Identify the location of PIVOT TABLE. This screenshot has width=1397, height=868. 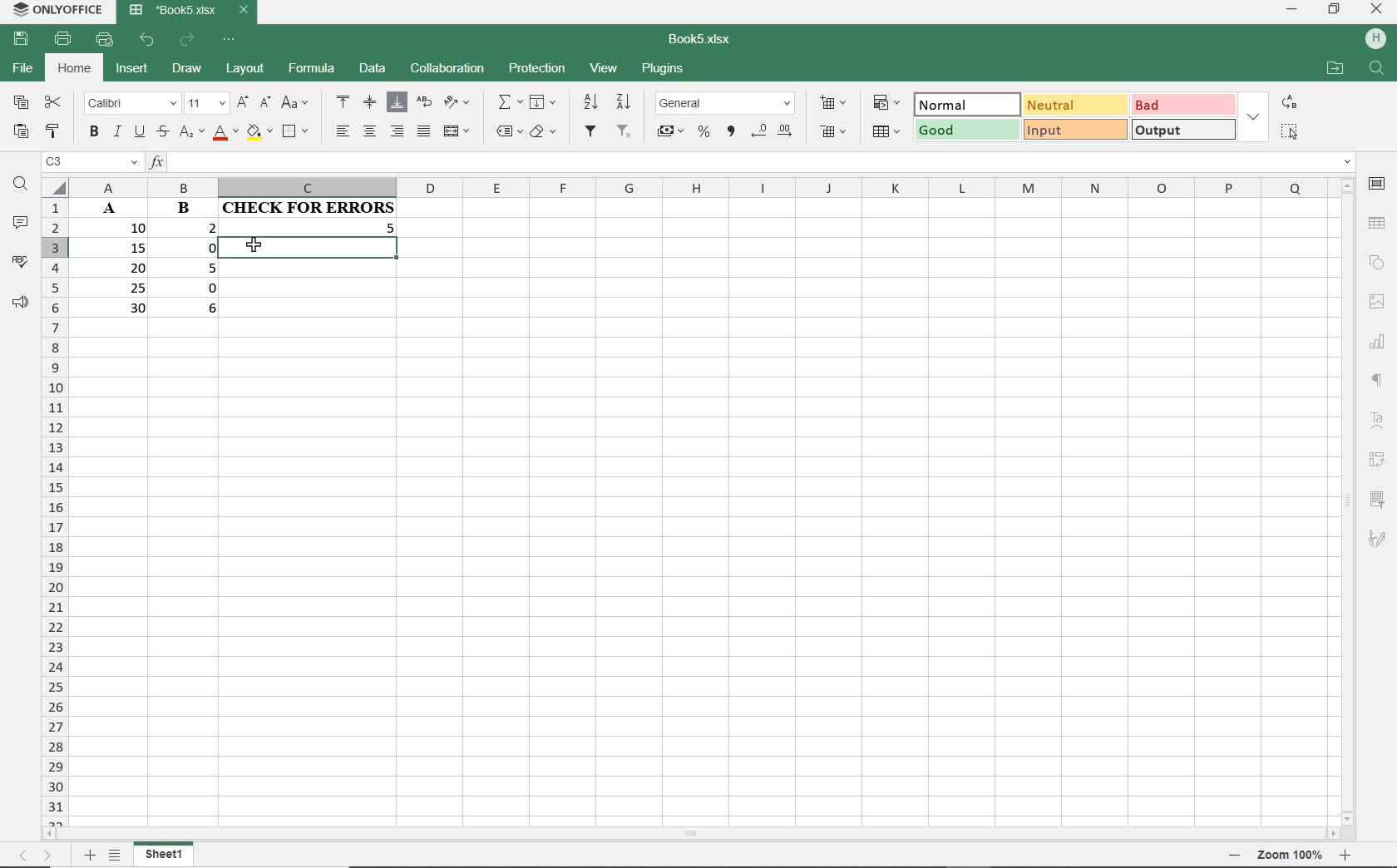
(1375, 461).